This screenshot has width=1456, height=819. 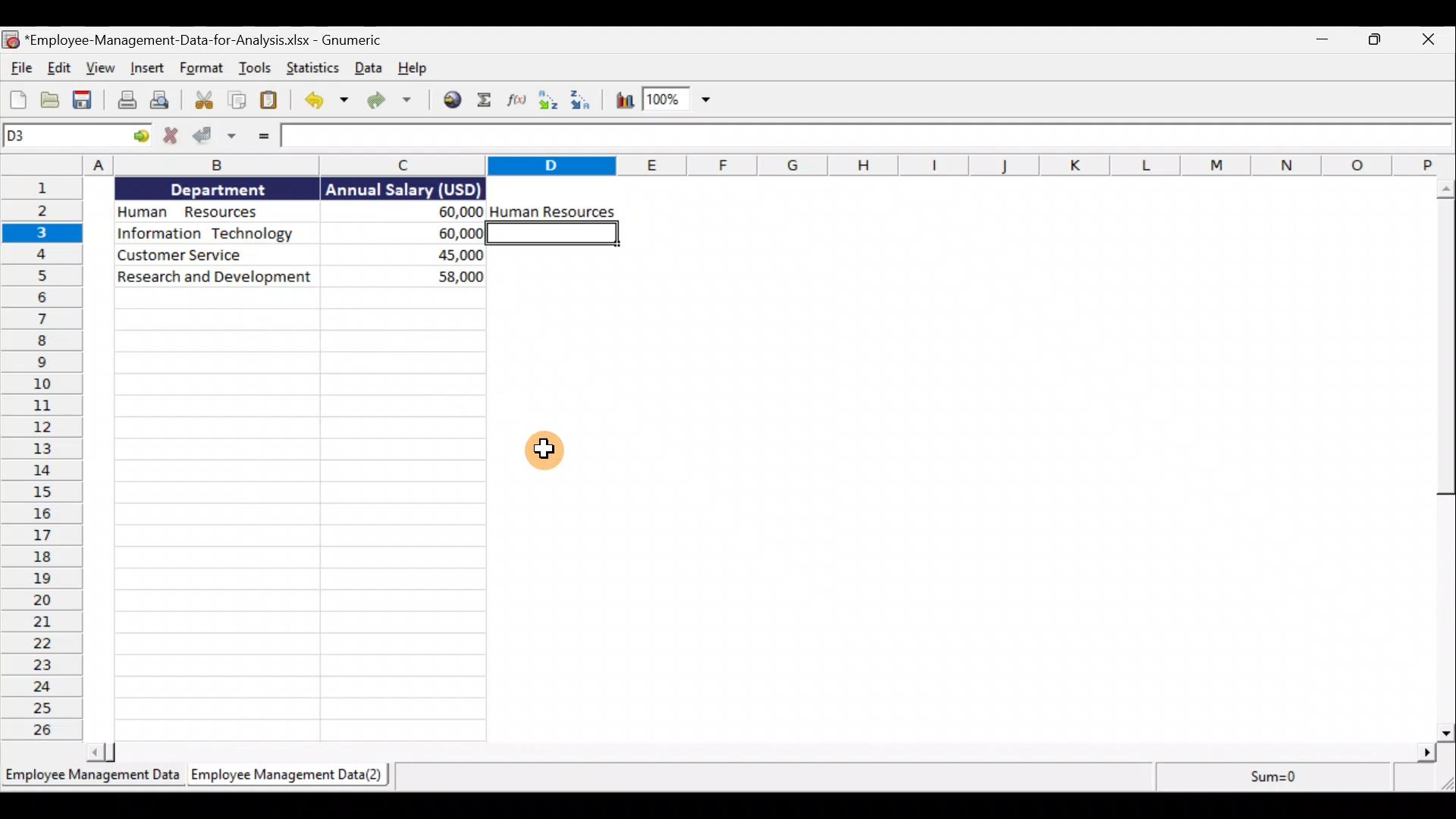 What do you see at coordinates (297, 234) in the screenshot?
I see `Data` at bounding box center [297, 234].